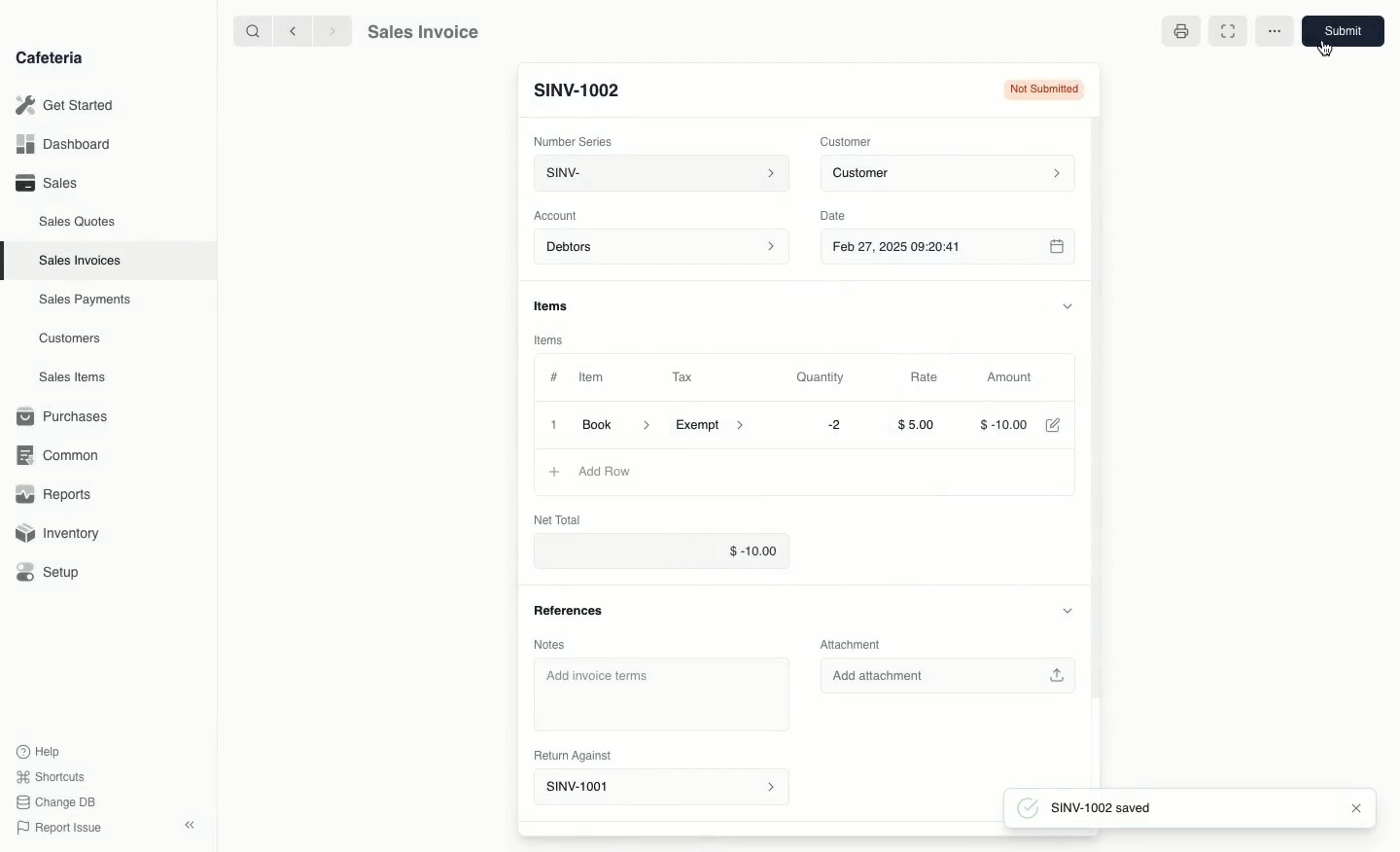 This screenshot has height=852, width=1400. What do you see at coordinates (715, 426) in the screenshot?
I see `Exempt >` at bounding box center [715, 426].